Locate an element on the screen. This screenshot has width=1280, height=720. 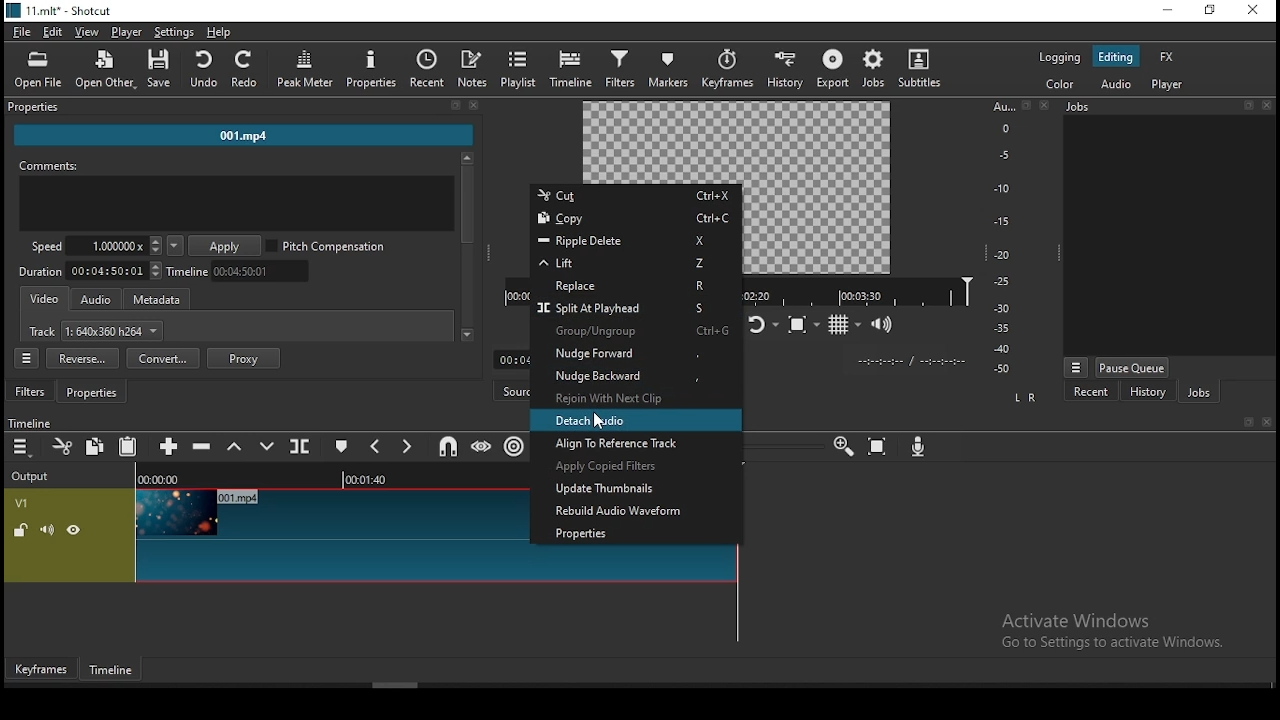
Output is located at coordinates (36, 475).